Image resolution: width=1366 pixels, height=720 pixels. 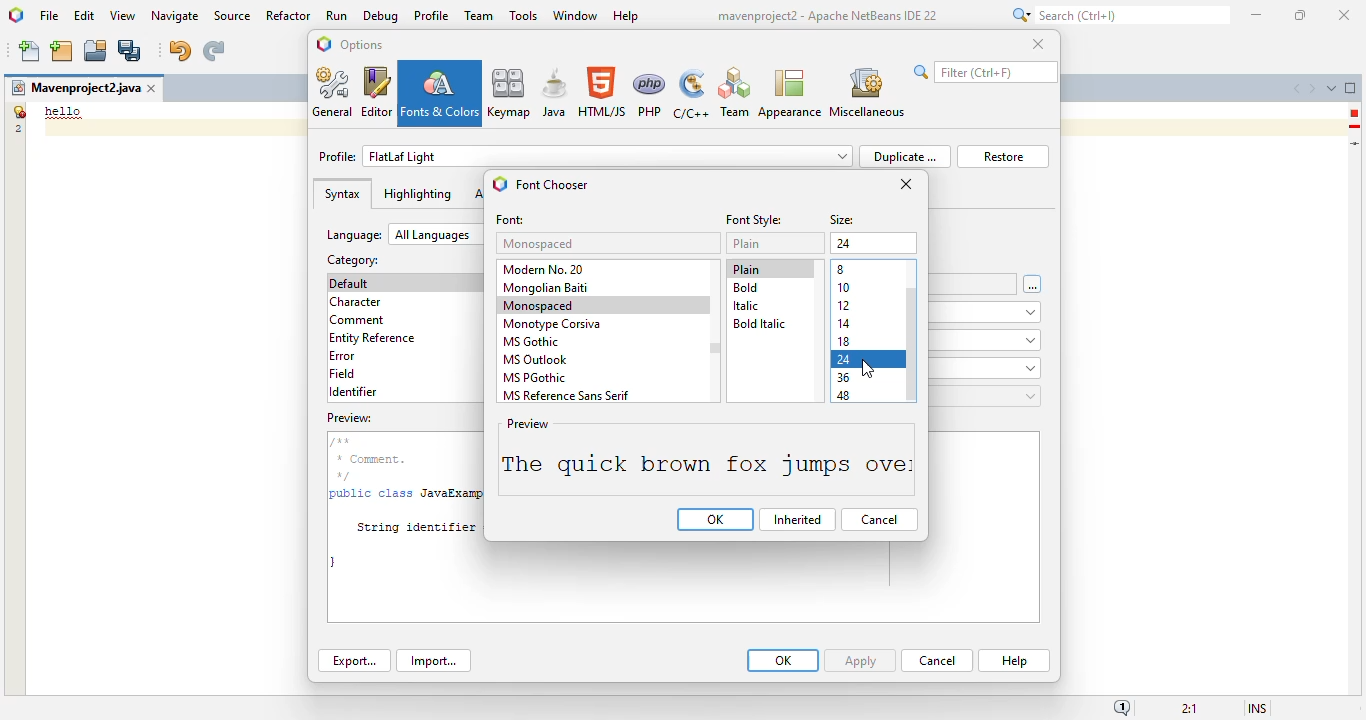 I want to click on monotype corsiva, so click(x=552, y=325).